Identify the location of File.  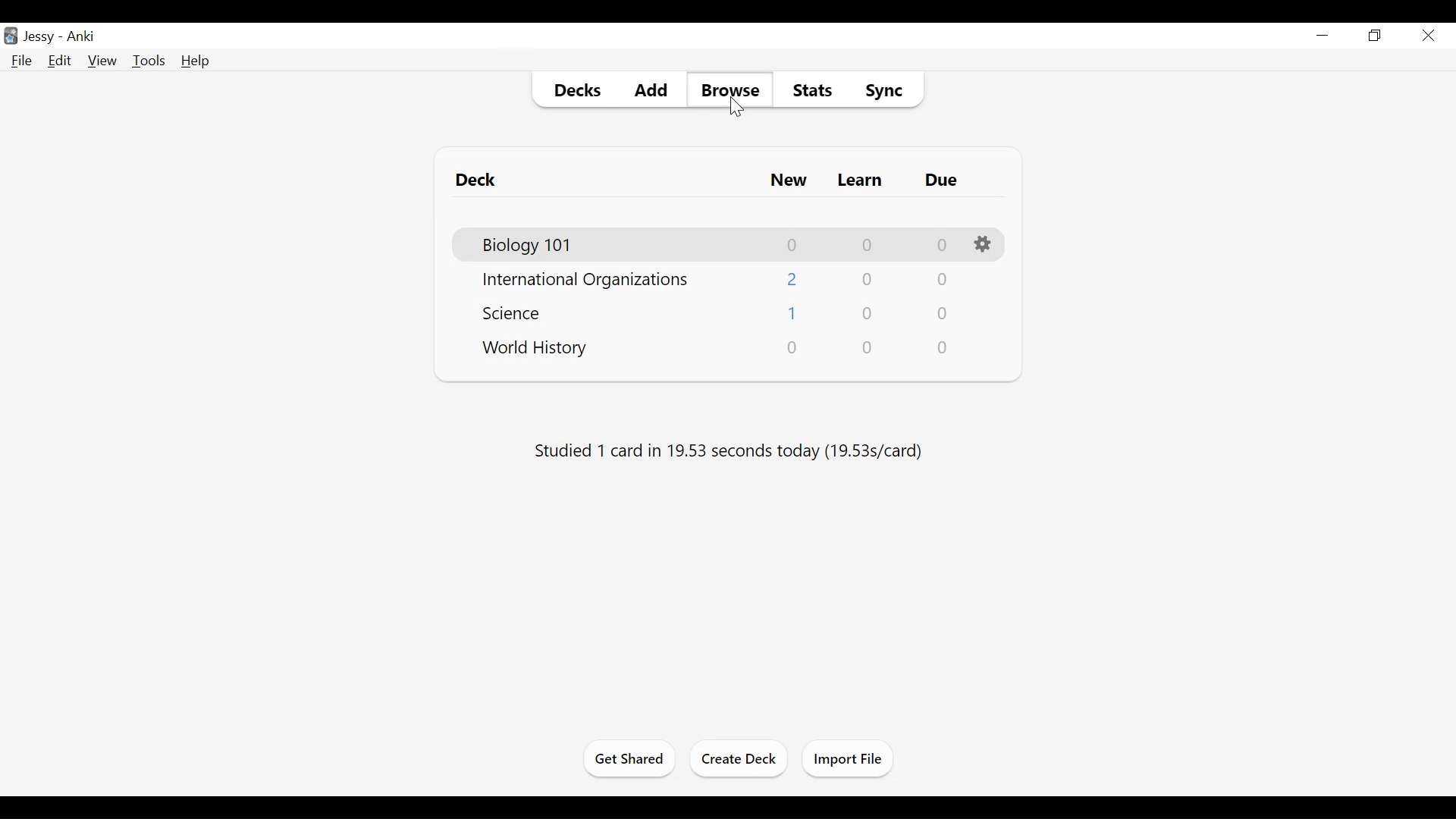
(21, 60).